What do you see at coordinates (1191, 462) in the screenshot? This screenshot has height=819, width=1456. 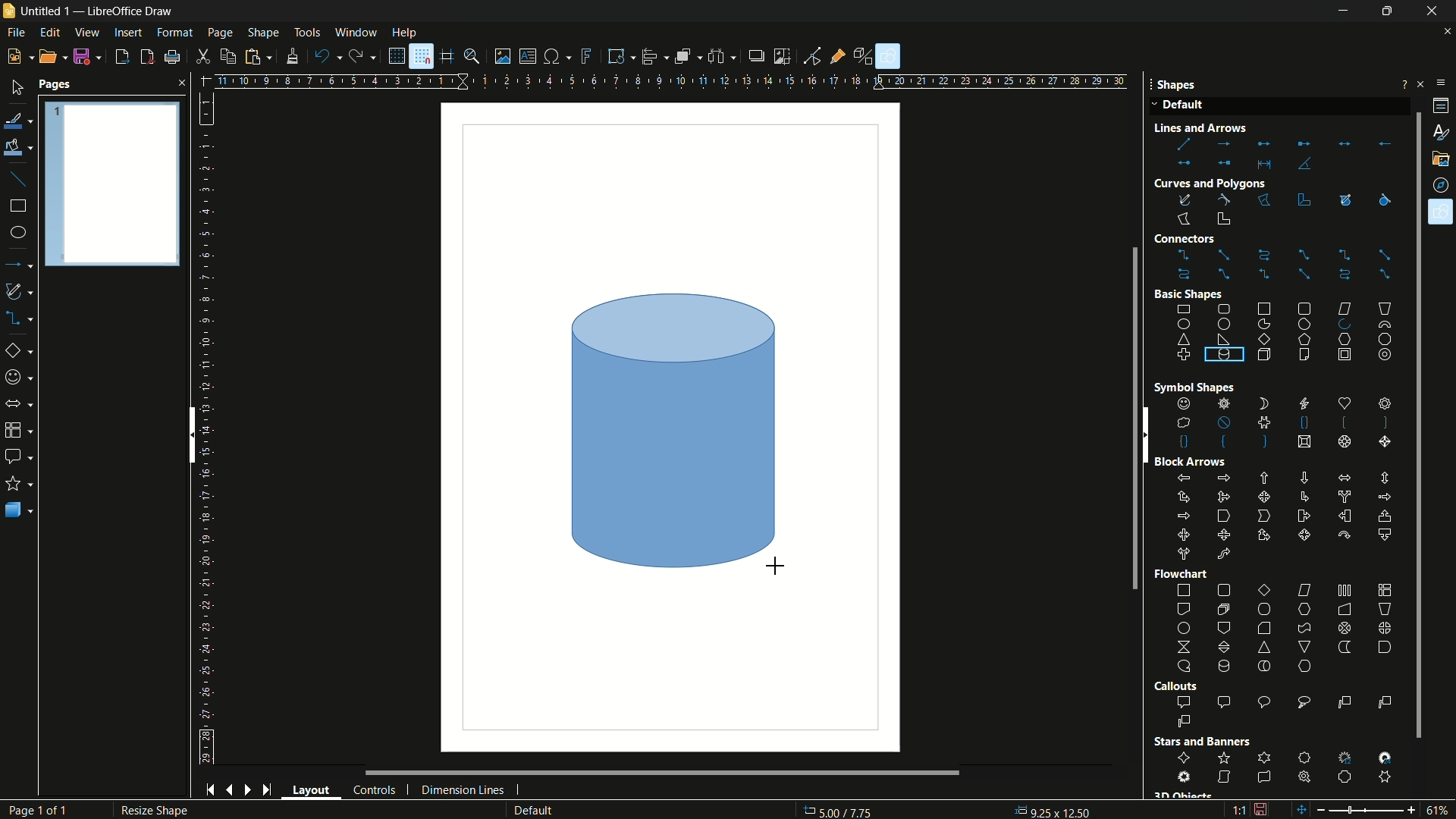 I see `Block Arrows` at bounding box center [1191, 462].